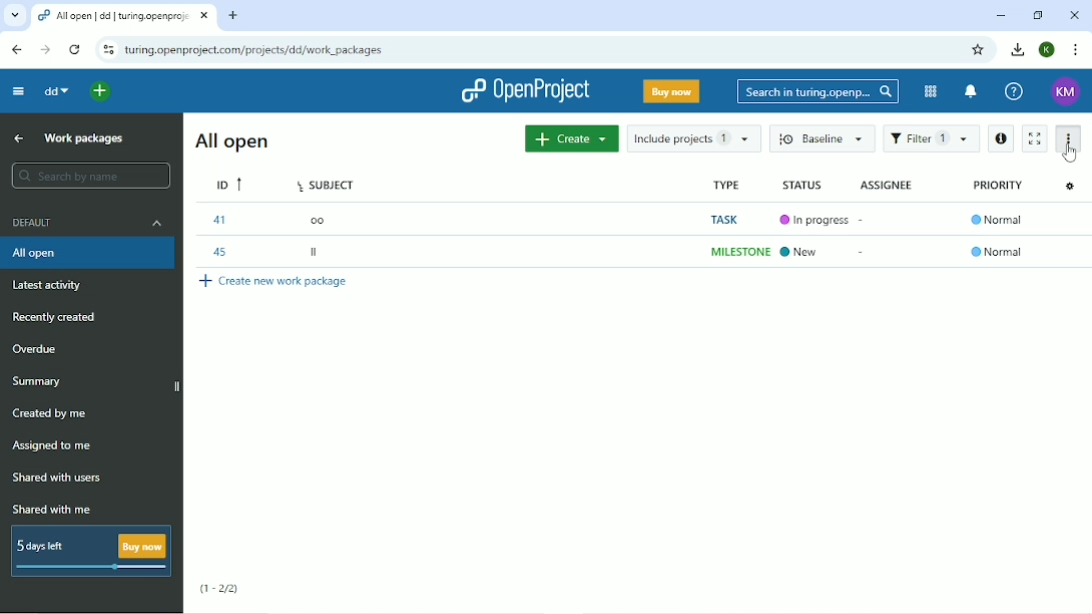  What do you see at coordinates (74, 50) in the screenshot?
I see `Reload this page` at bounding box center [74, 50].